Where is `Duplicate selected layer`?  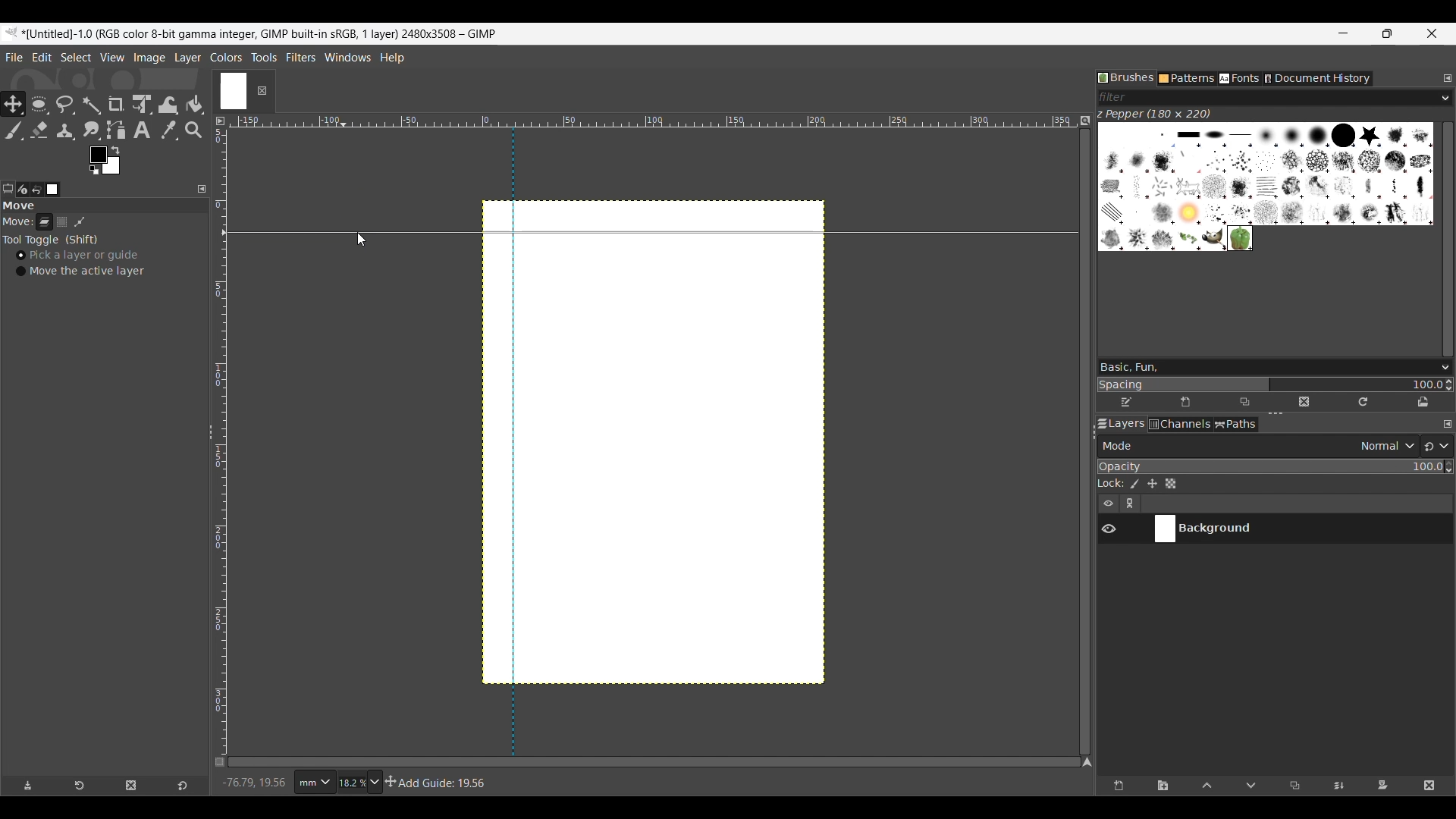
Duplicate selected layer is located at coordinates (1294, 786).